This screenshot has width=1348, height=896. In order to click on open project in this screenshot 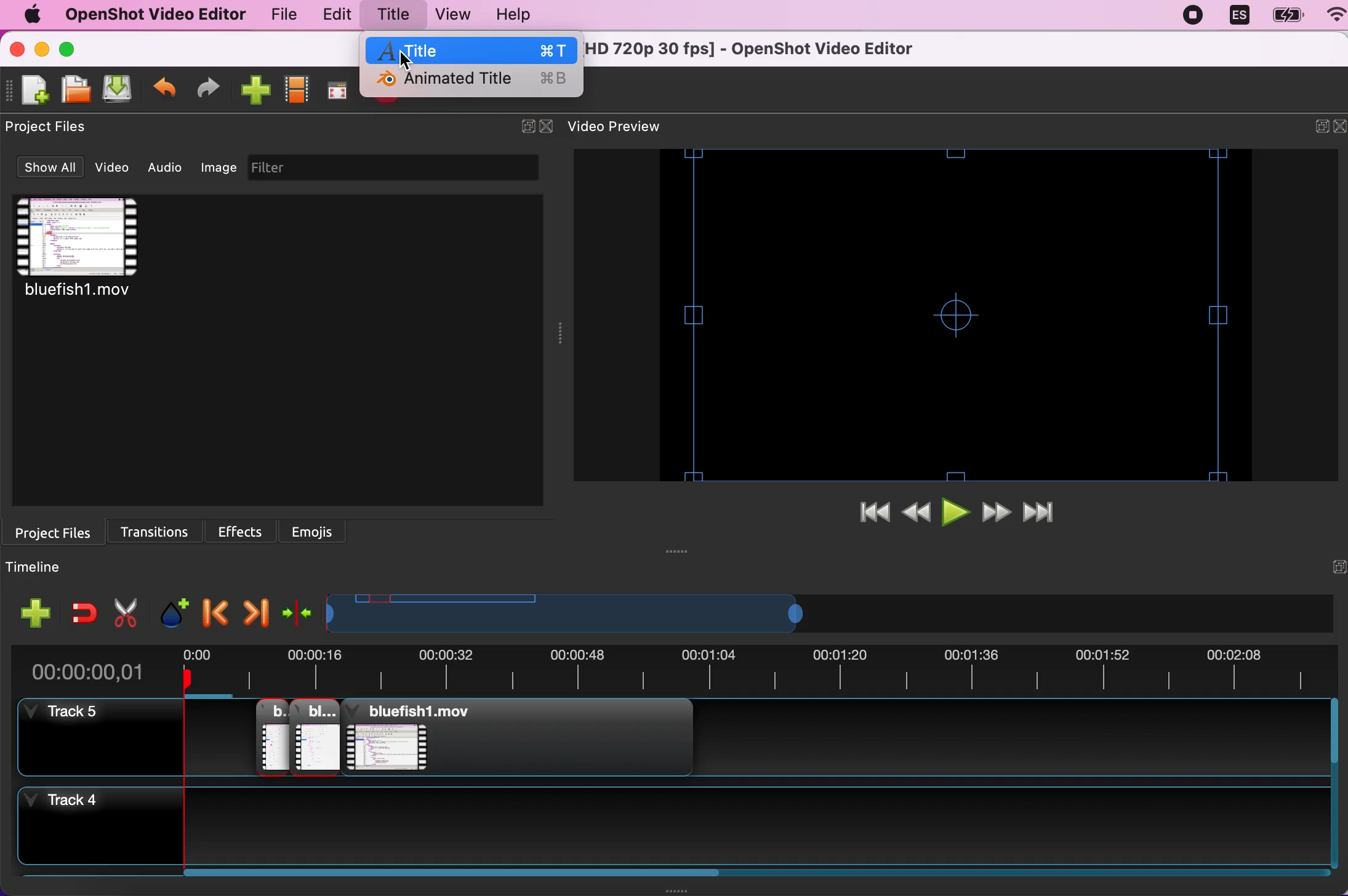, I will do `click(74, 89)`.